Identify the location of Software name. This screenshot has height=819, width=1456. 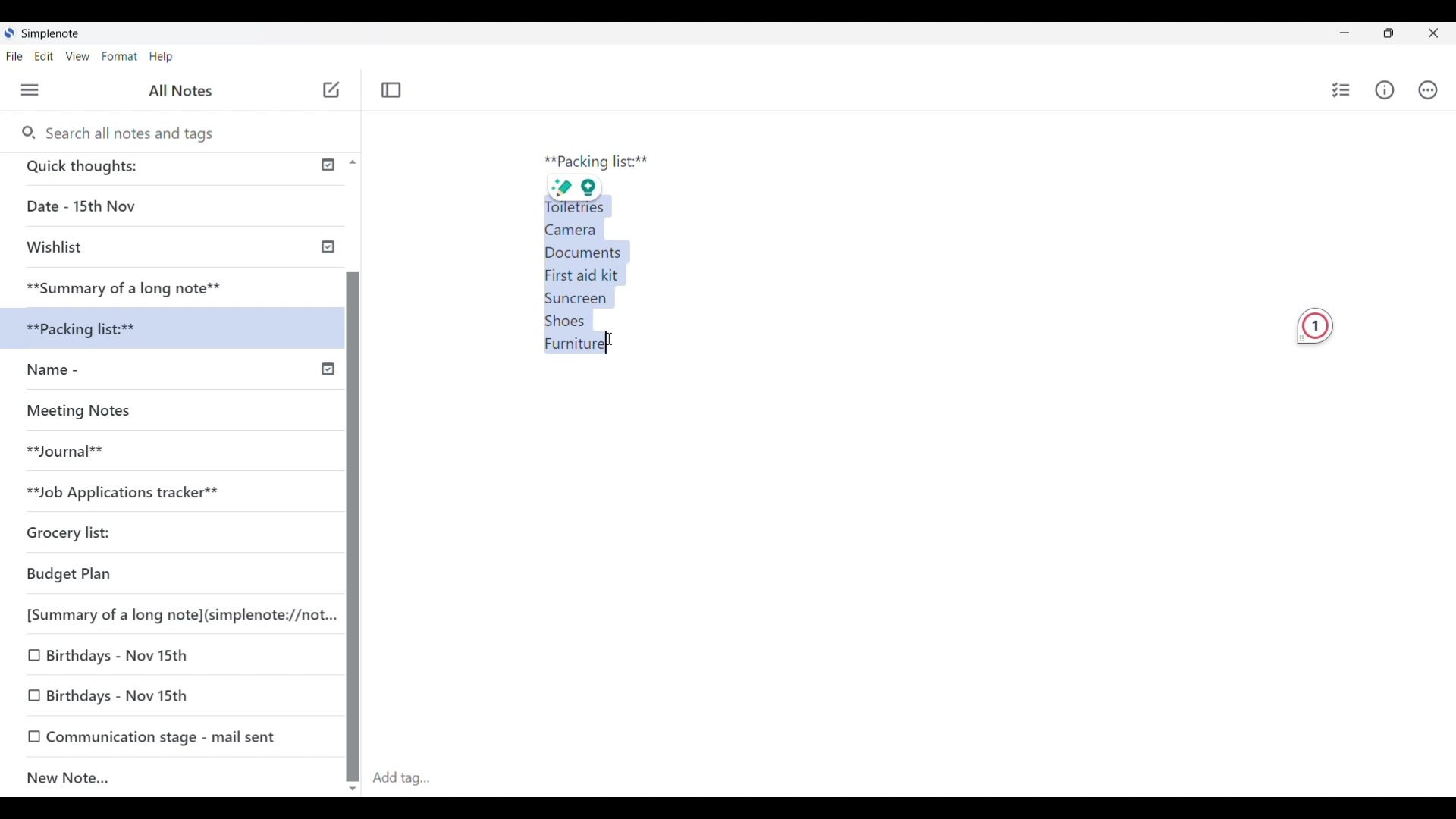
(52, 34).